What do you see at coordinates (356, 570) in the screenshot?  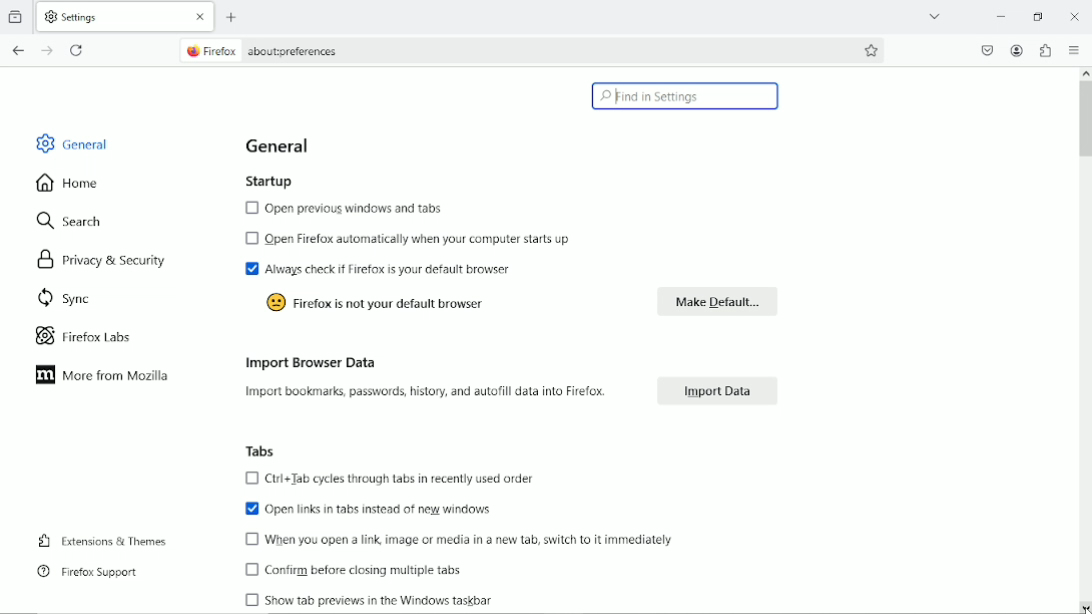 I see `confirm before closing multiple tabs` at bounding box center [356, 570].